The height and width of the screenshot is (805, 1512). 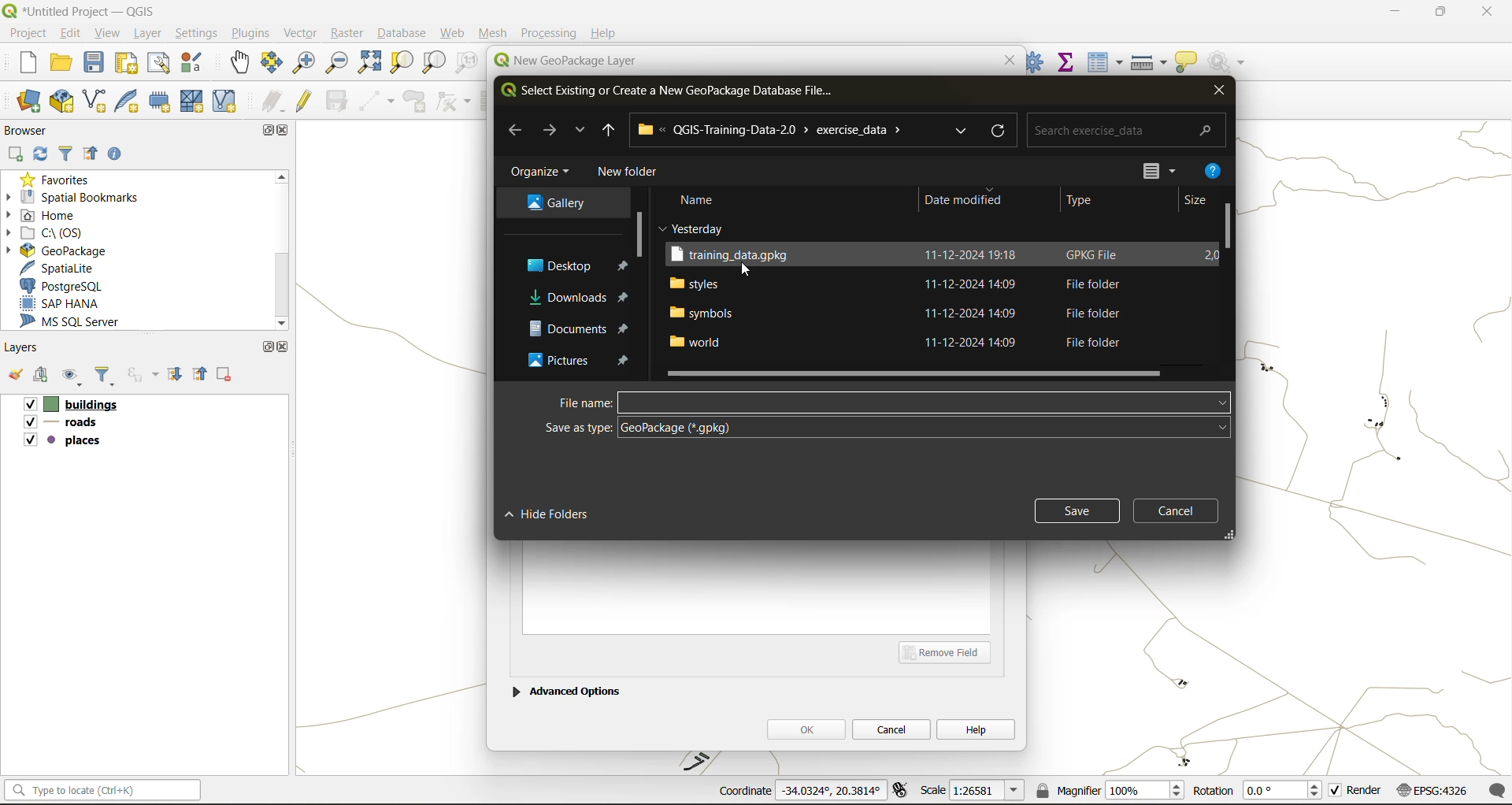 What do you see at coordinates (972, 257) in the screenshot?
I see `11-12-2024 19:18` at bounding box center [972, 257].